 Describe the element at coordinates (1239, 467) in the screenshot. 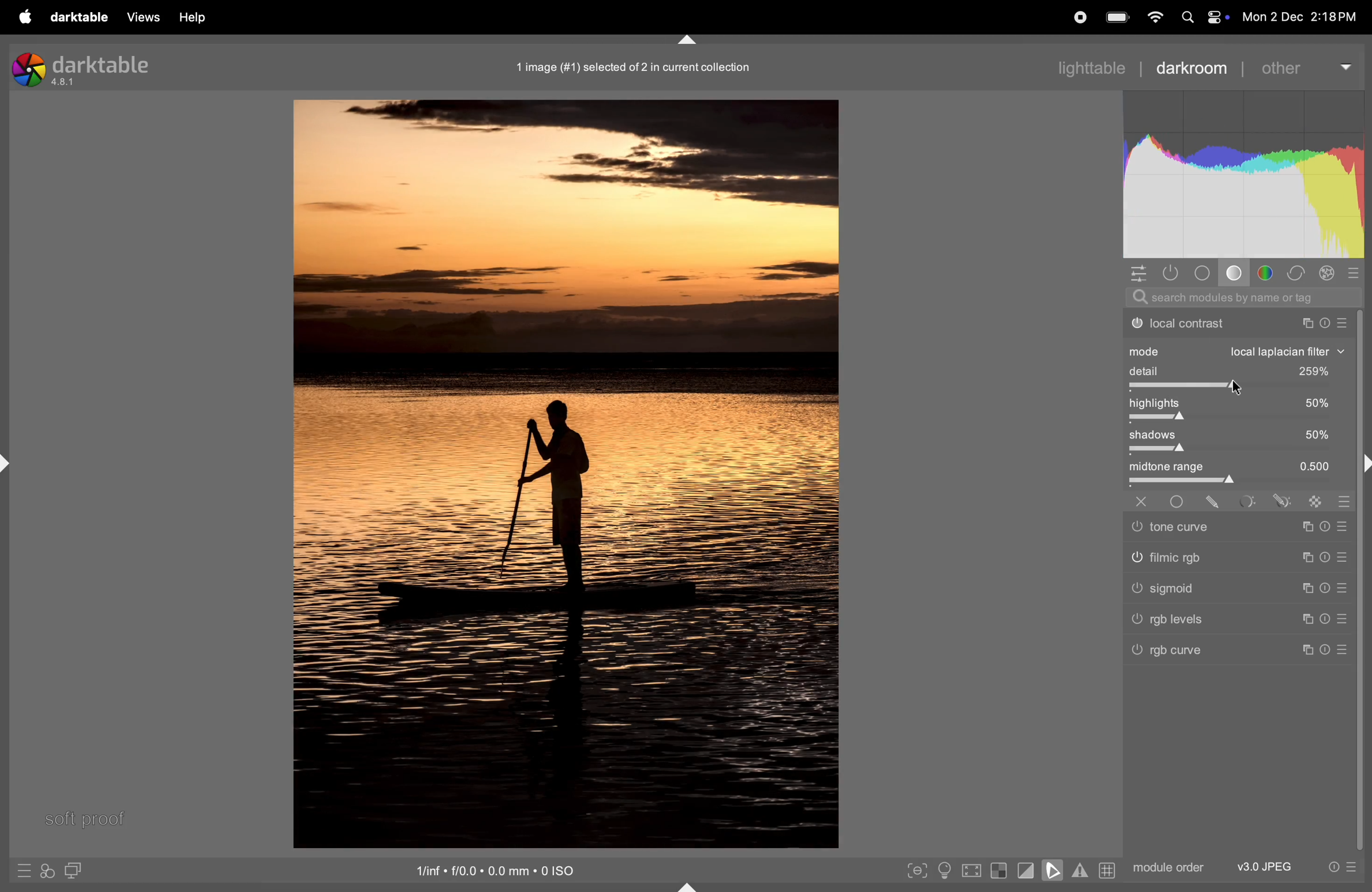

I see `midtone range` at that location.